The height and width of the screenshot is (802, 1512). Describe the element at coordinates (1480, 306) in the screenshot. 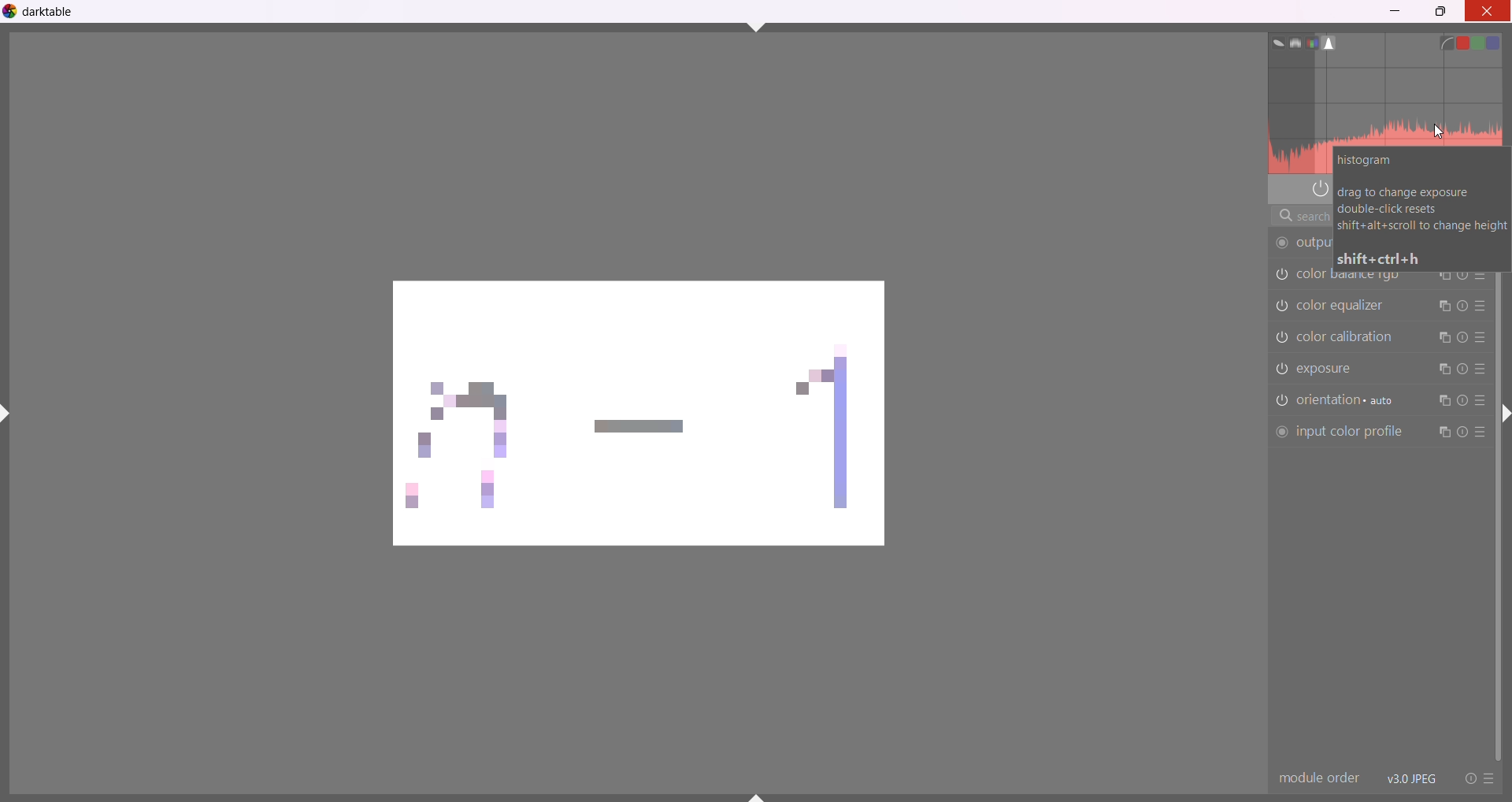

I see `presets` at that location.